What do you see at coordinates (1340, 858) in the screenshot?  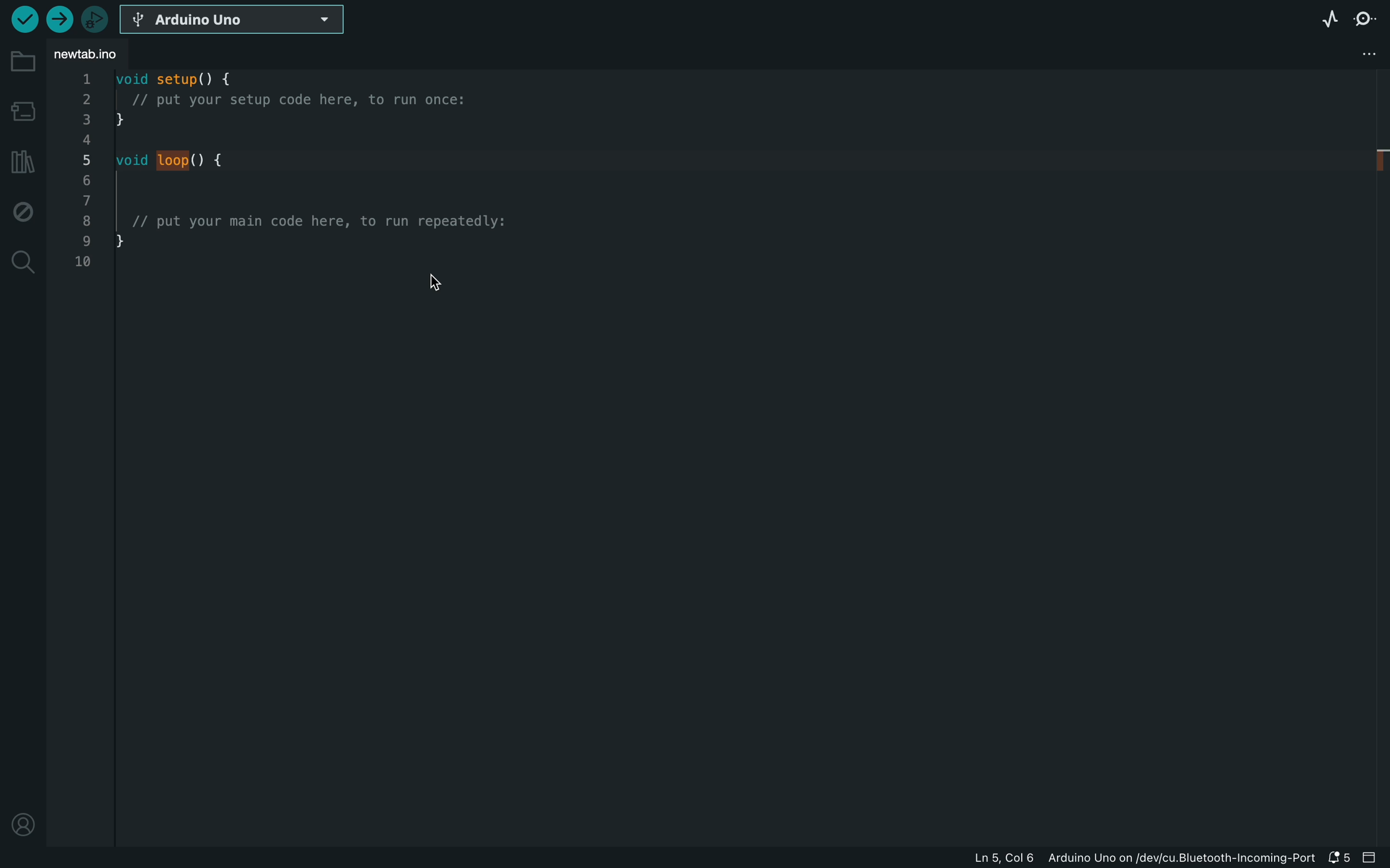 I see `notification` at bounding box center [1340, 858].